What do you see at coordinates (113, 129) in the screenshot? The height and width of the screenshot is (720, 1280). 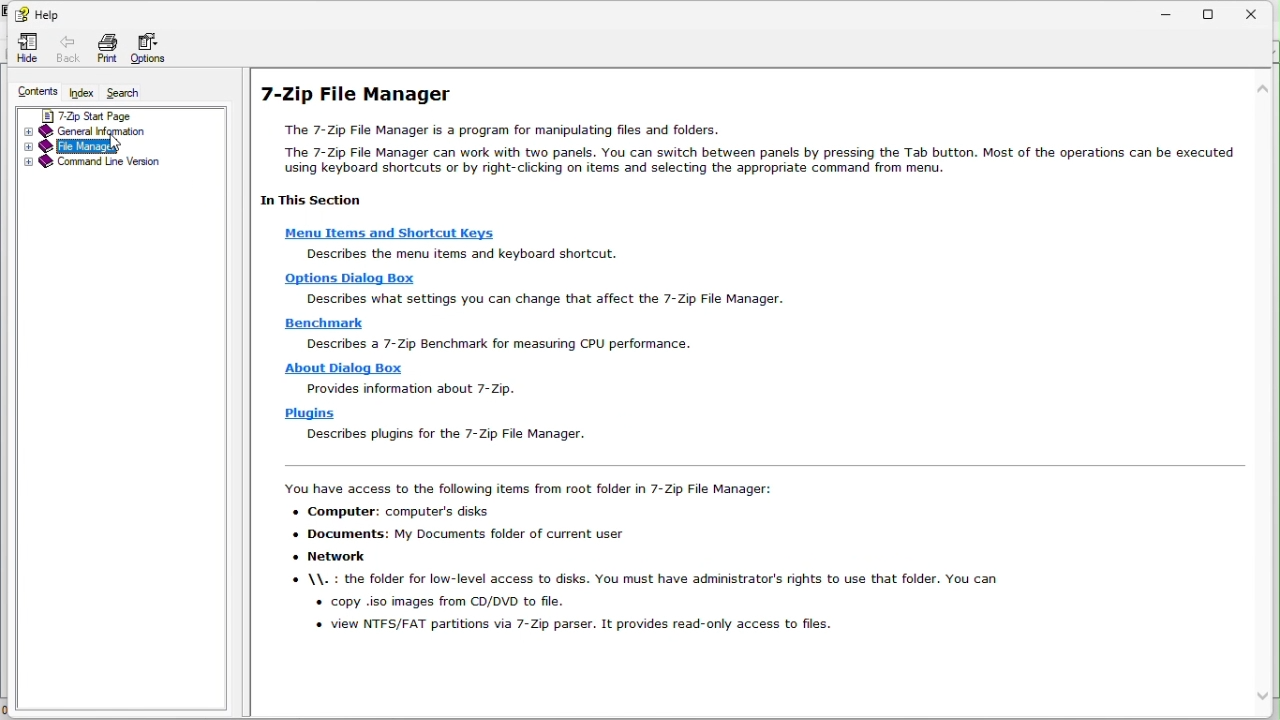 I see `General information` at bounding box center [113, 129].